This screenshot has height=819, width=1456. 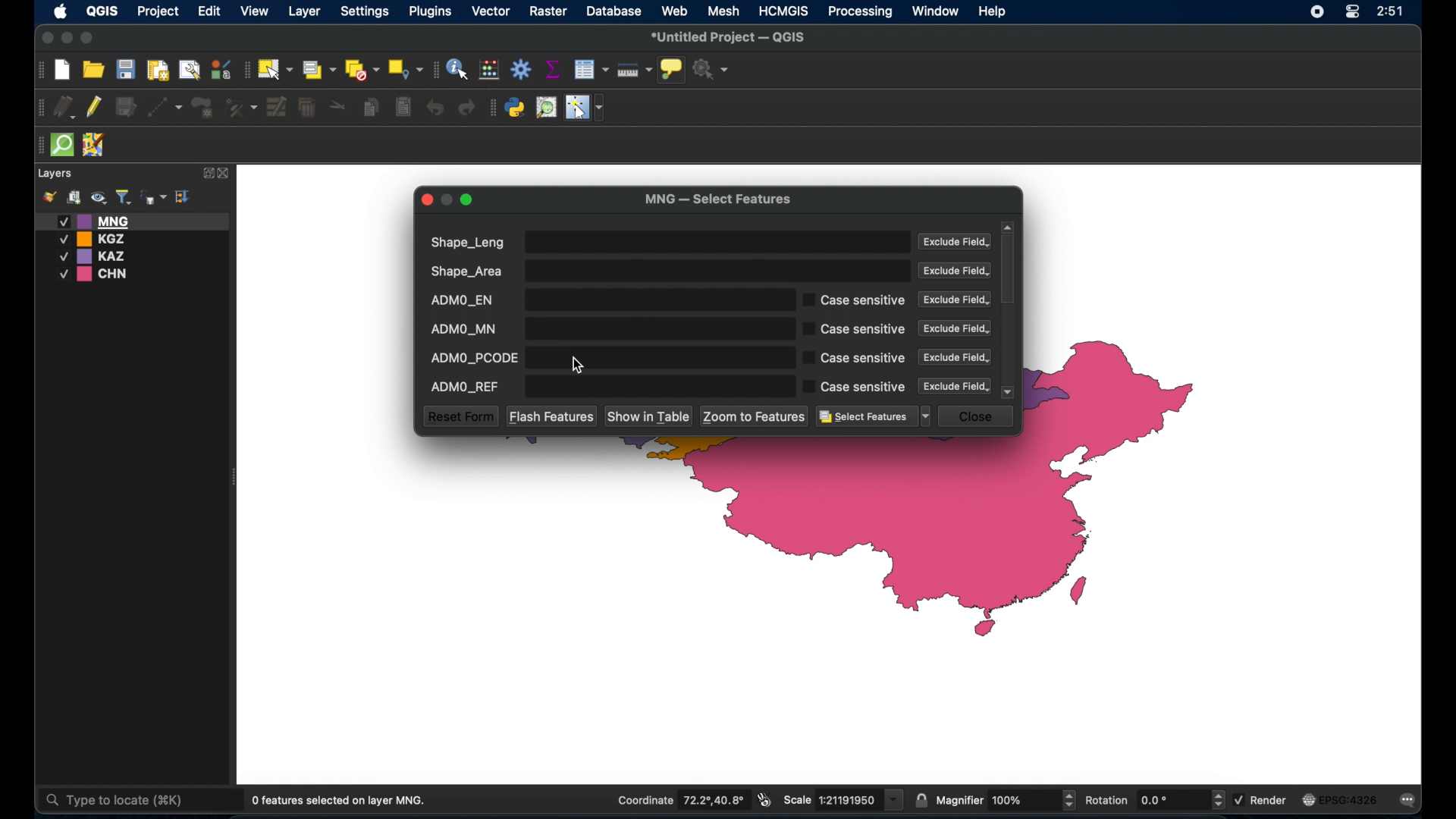 I want to click on collapse all, so click(x=184, y=196).